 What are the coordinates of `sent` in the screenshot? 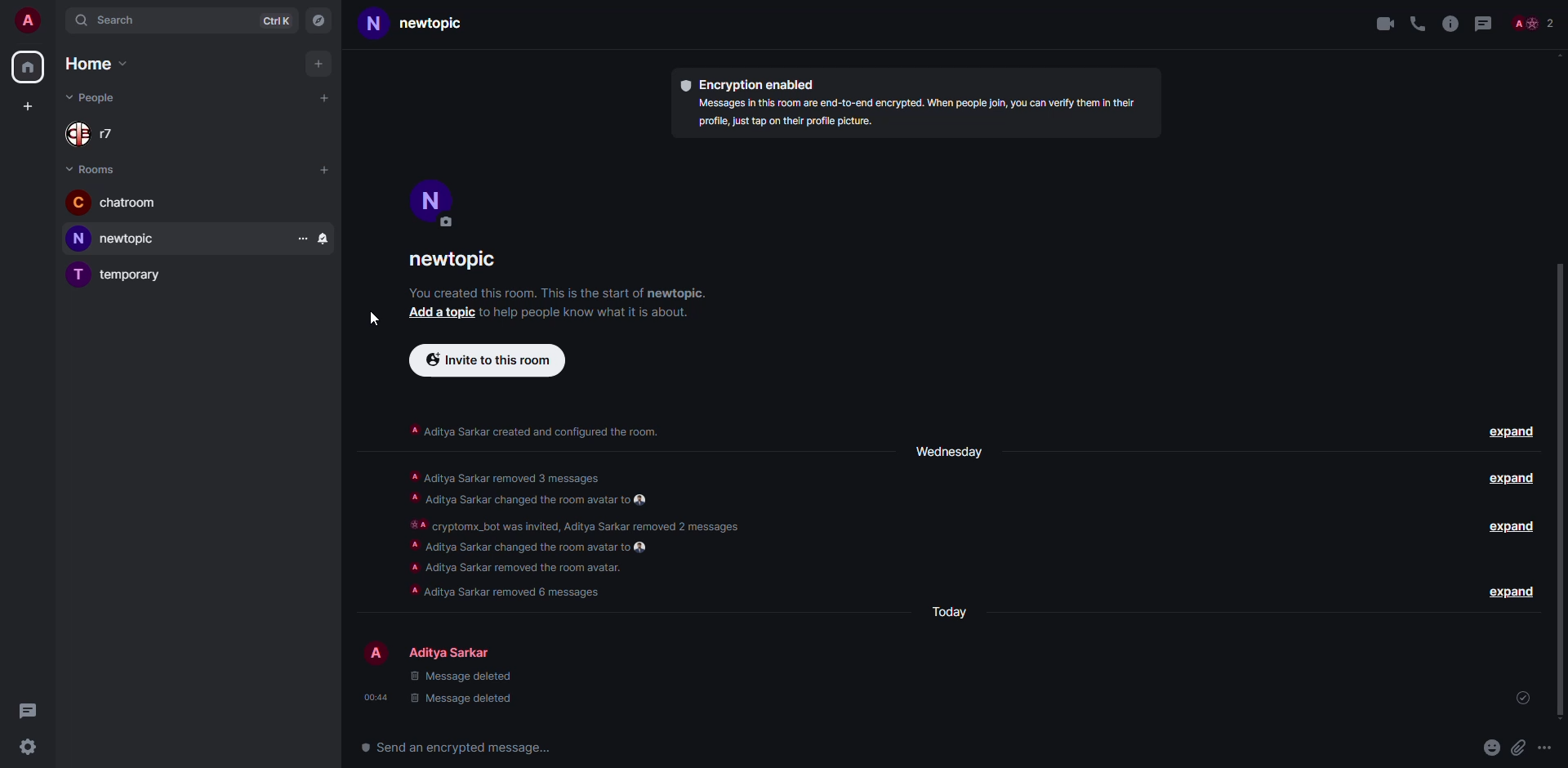 It's located at (1525, 695).